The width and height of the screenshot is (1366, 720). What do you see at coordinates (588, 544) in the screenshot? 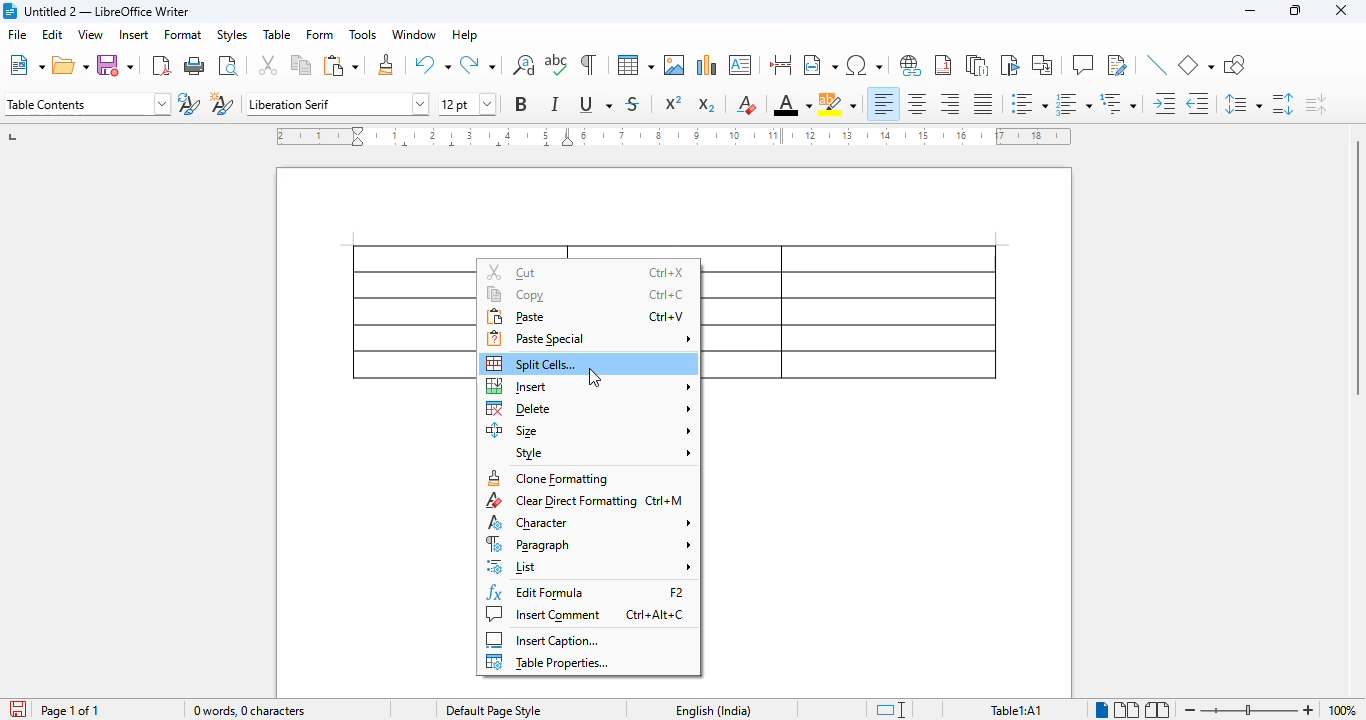
I see `paragraph` at bounding box center [588, 544].